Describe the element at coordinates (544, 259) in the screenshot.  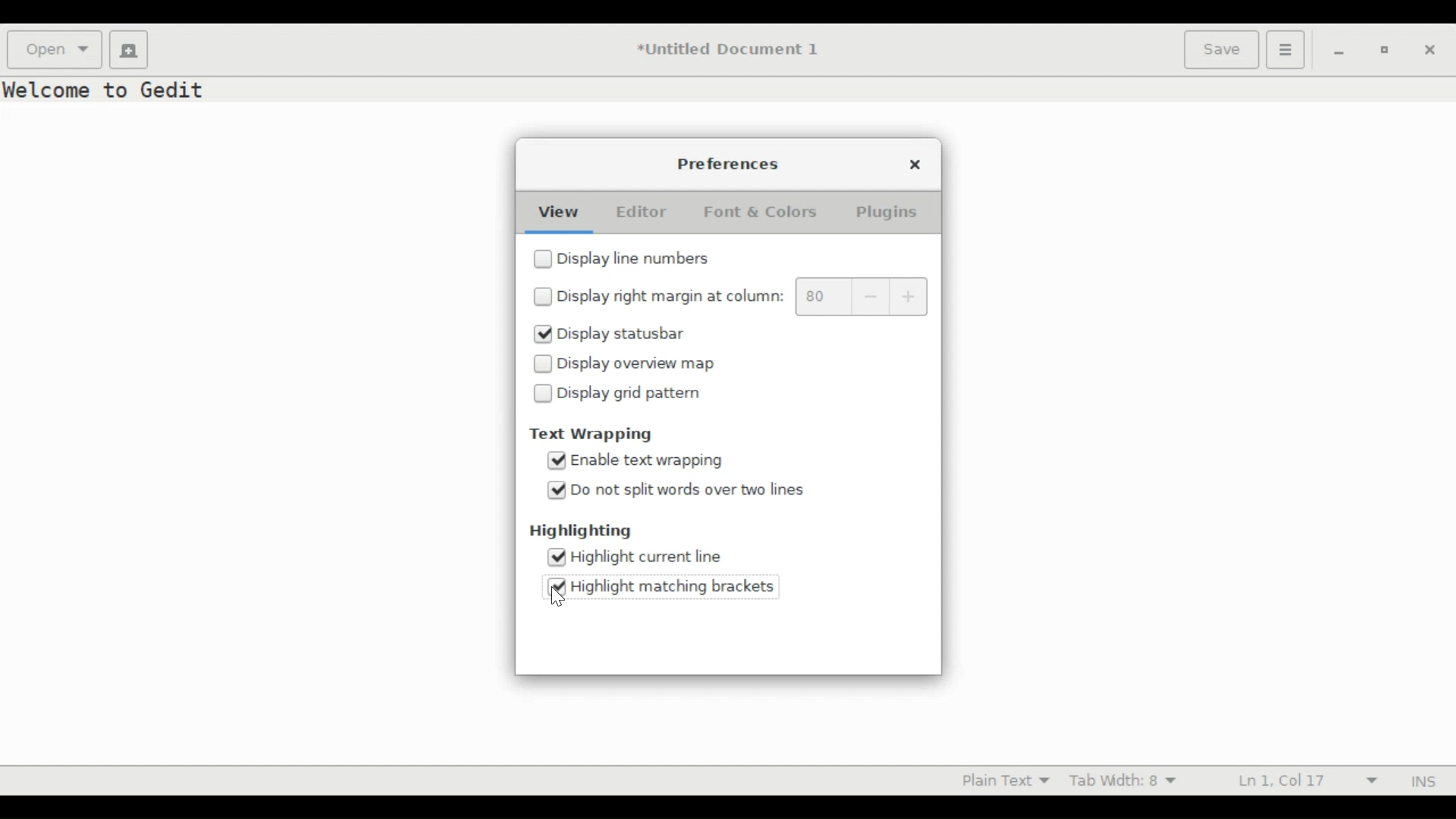
I see `checkbox` at that location.